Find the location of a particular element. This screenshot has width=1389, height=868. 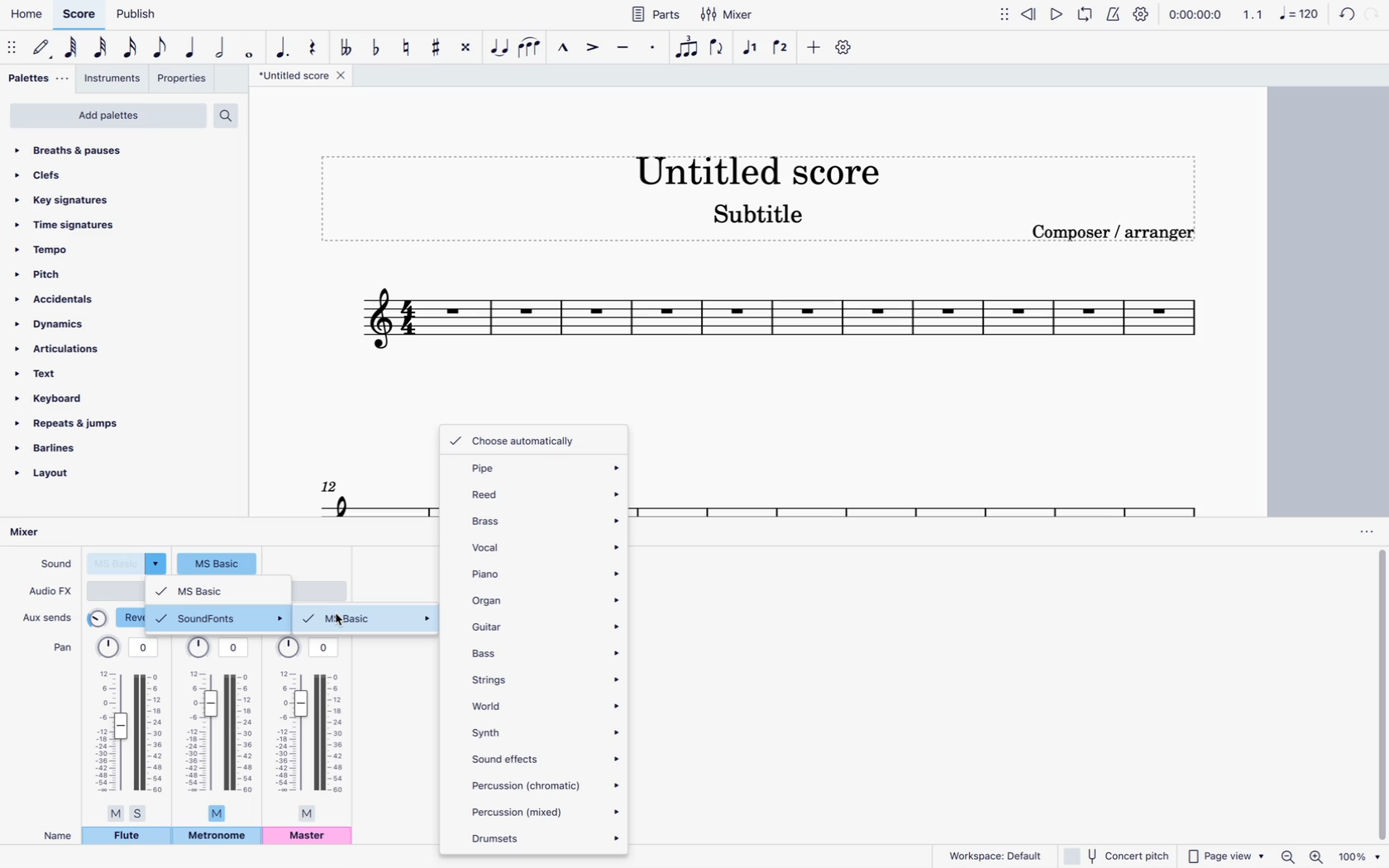

articulations is located at coordinates (62, 351).